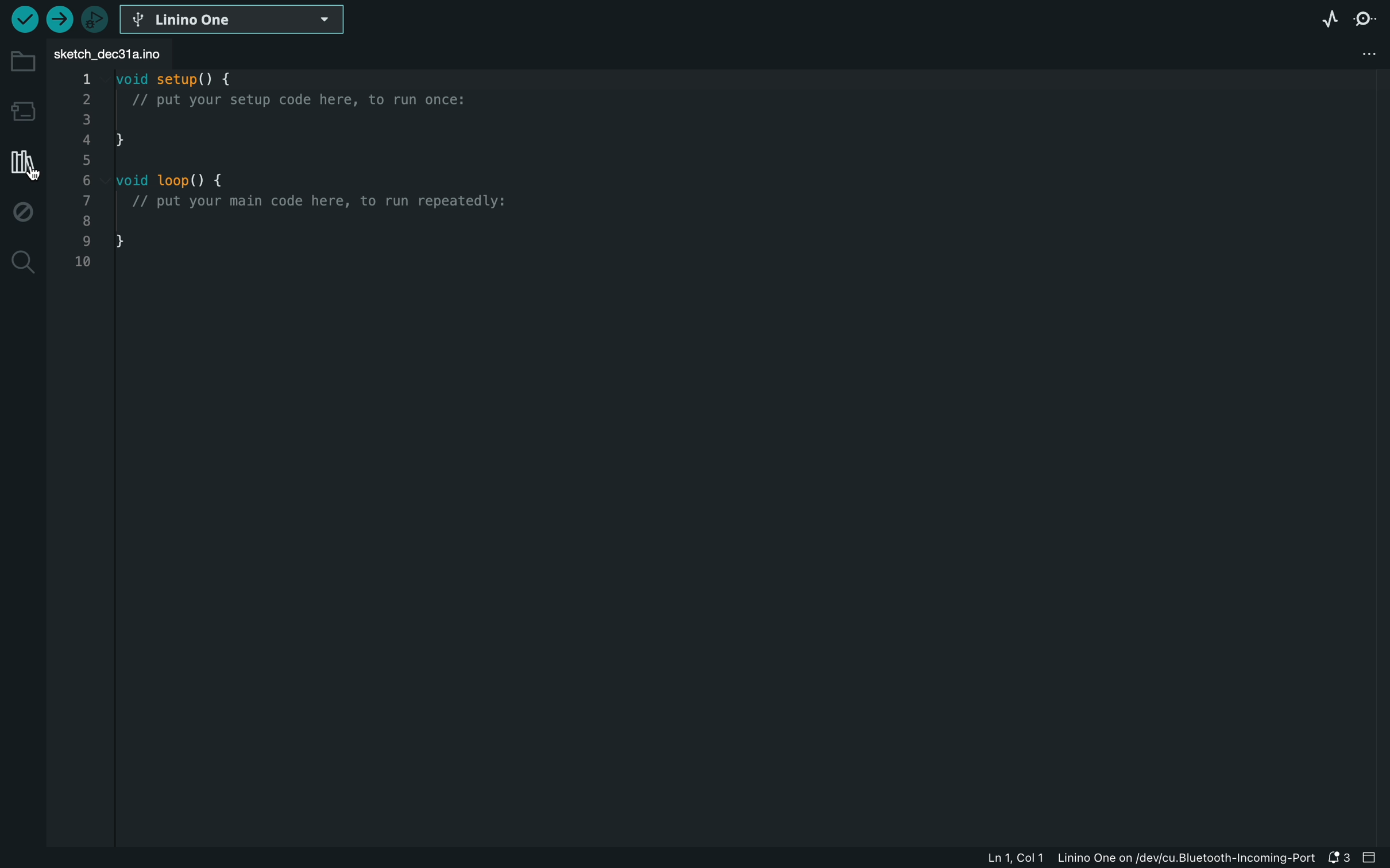  Describe the element at coordinates (1339, 858) in the screenshot. I see `notification` at that location.